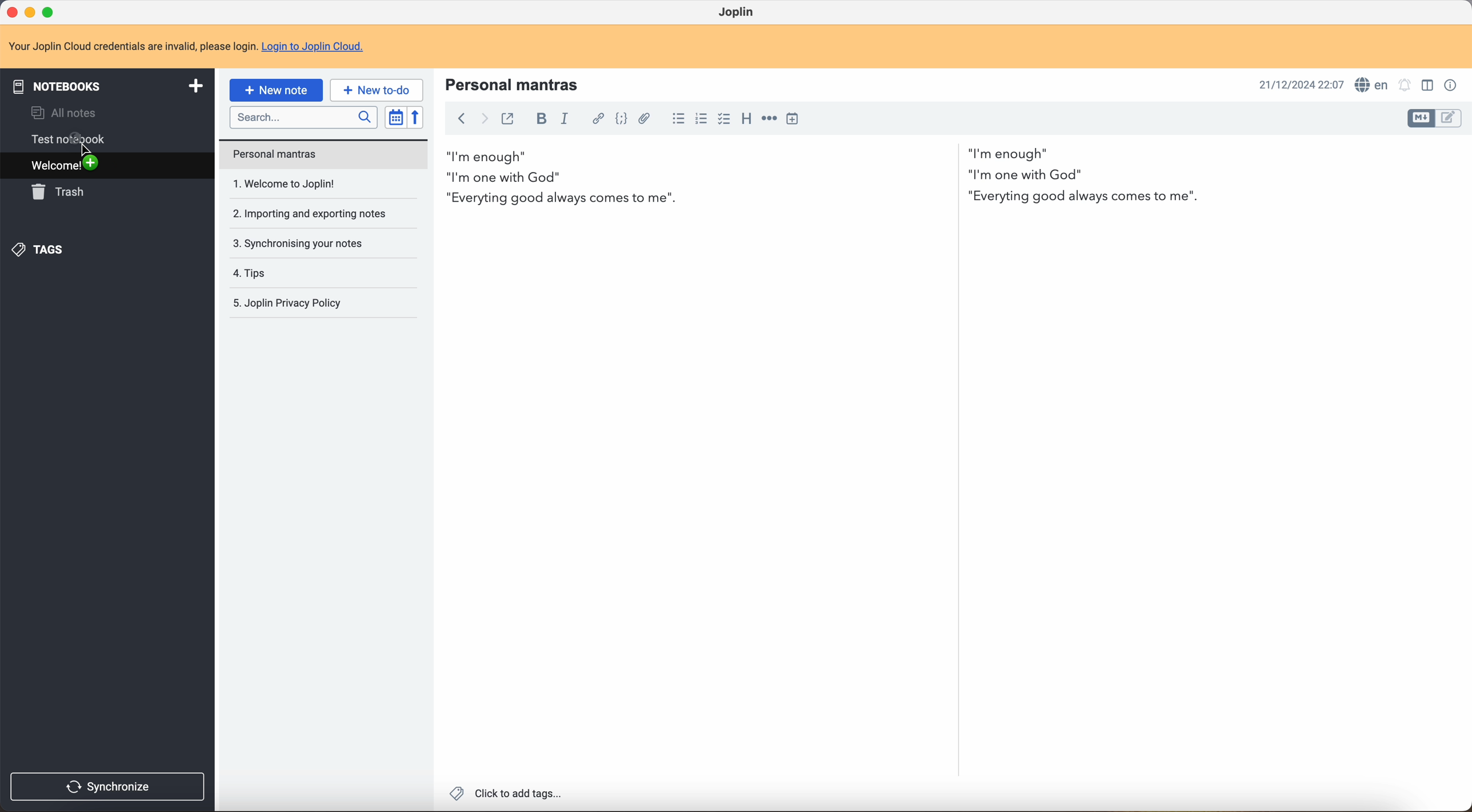 The image size is (1472, 812). What do you see at coordinates (394, 117) in the screenshot?
I see `toggle sort order field` at bounding box center [394, 117].